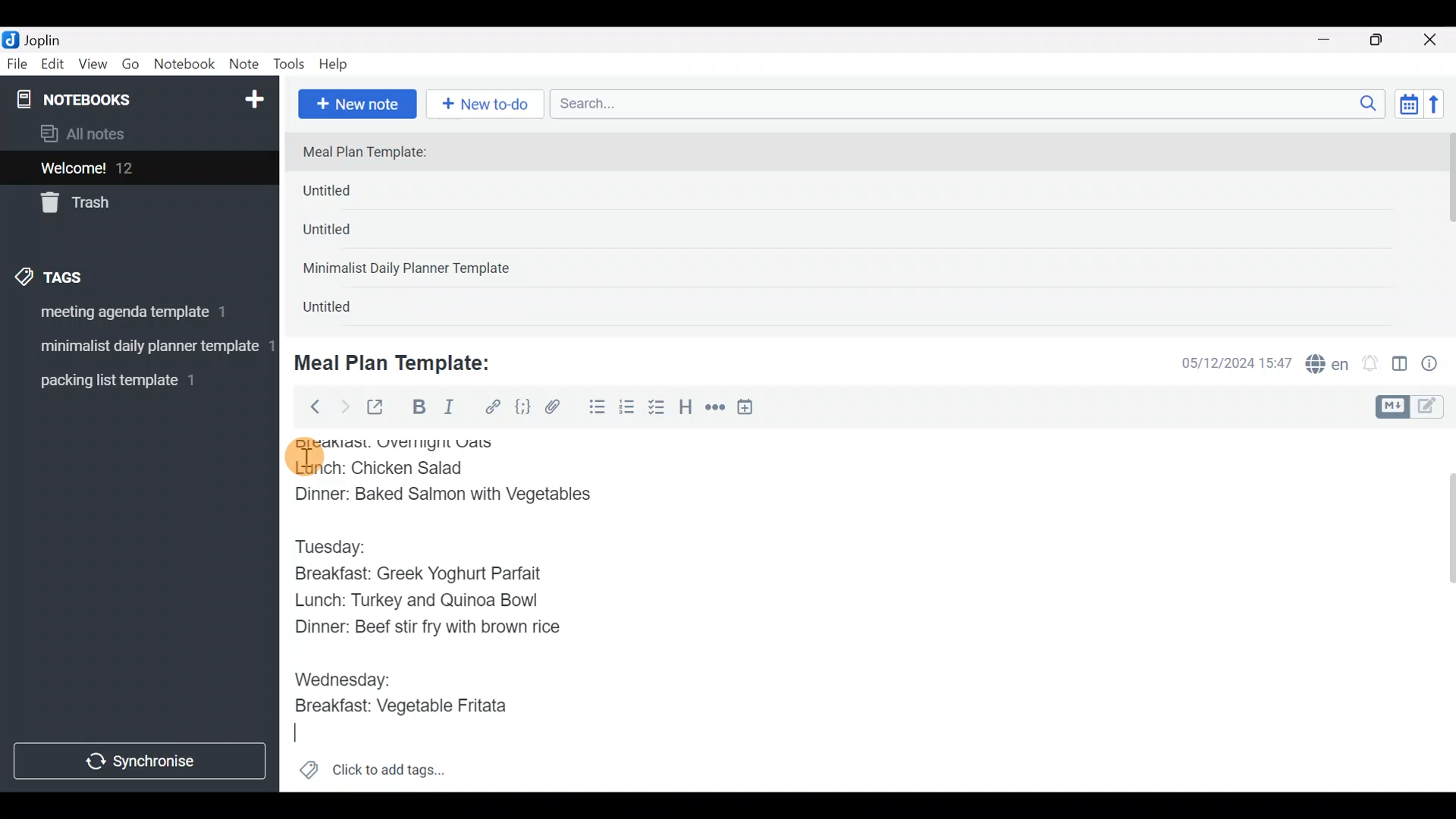 The image size is (1456, 819). I want to click on New, so click(253, 96).